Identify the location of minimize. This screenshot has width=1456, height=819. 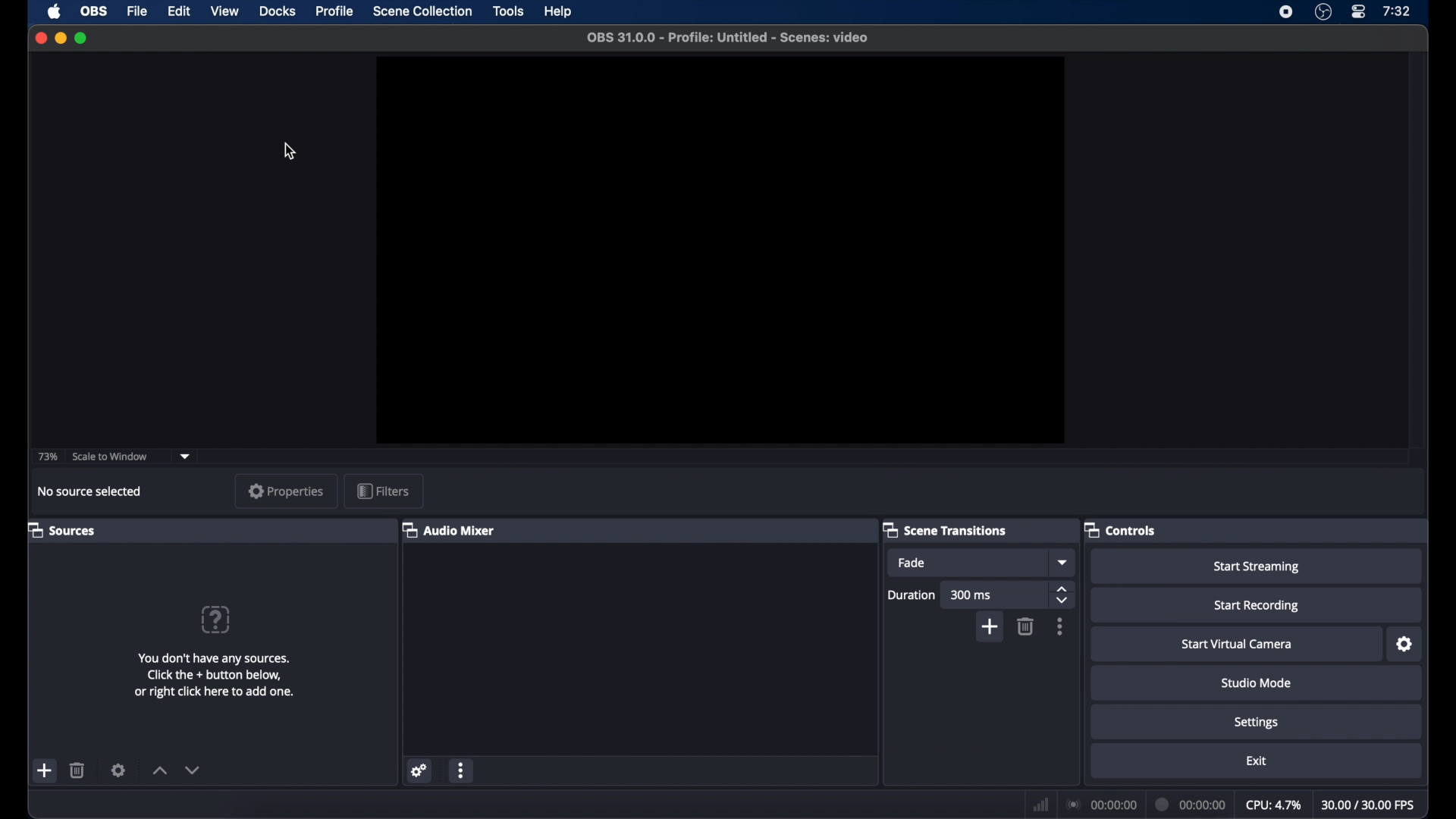
(60, 37).